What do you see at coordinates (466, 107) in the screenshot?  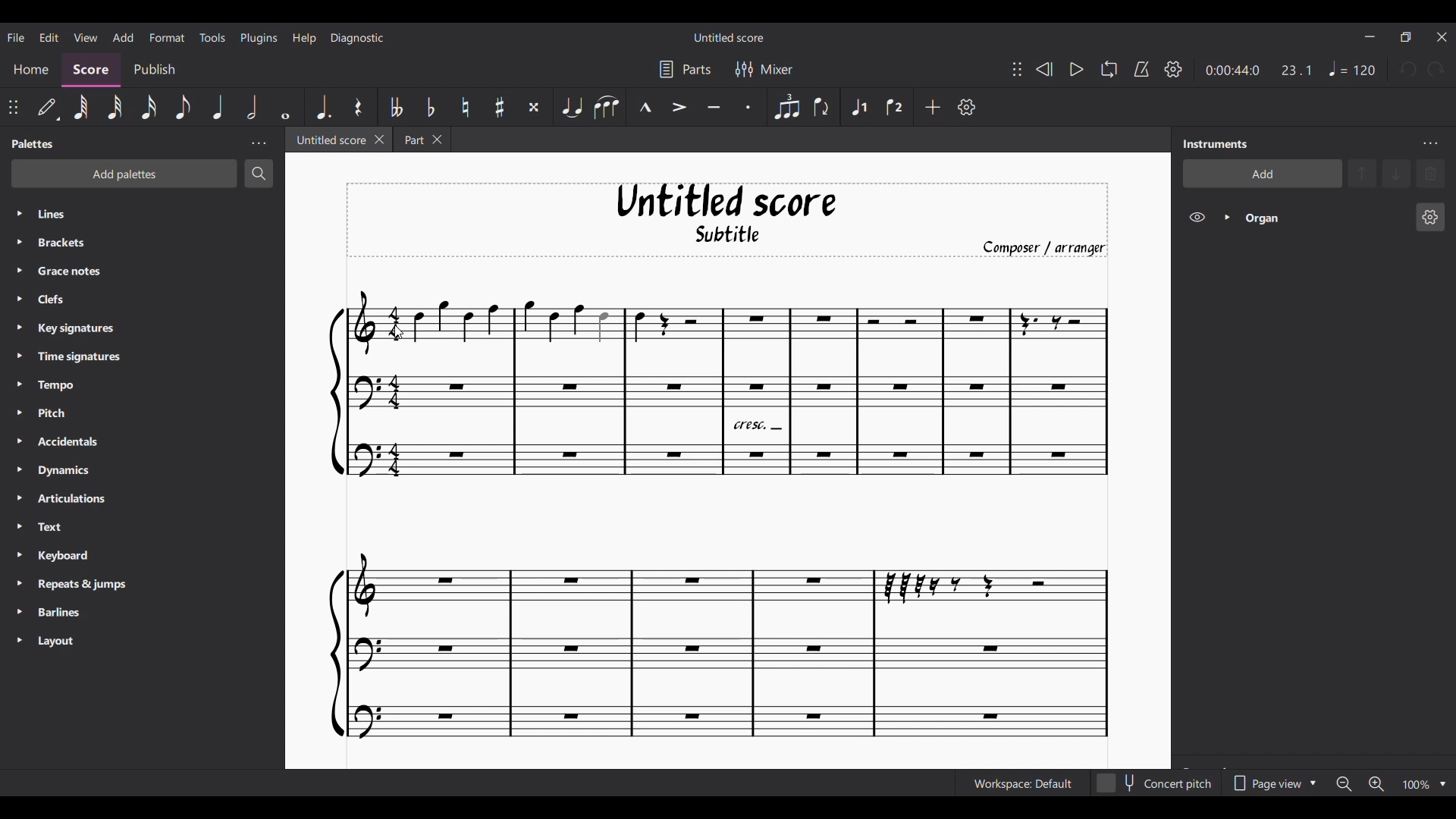 I see `Toggle natural` at bounding box center [466, 107].